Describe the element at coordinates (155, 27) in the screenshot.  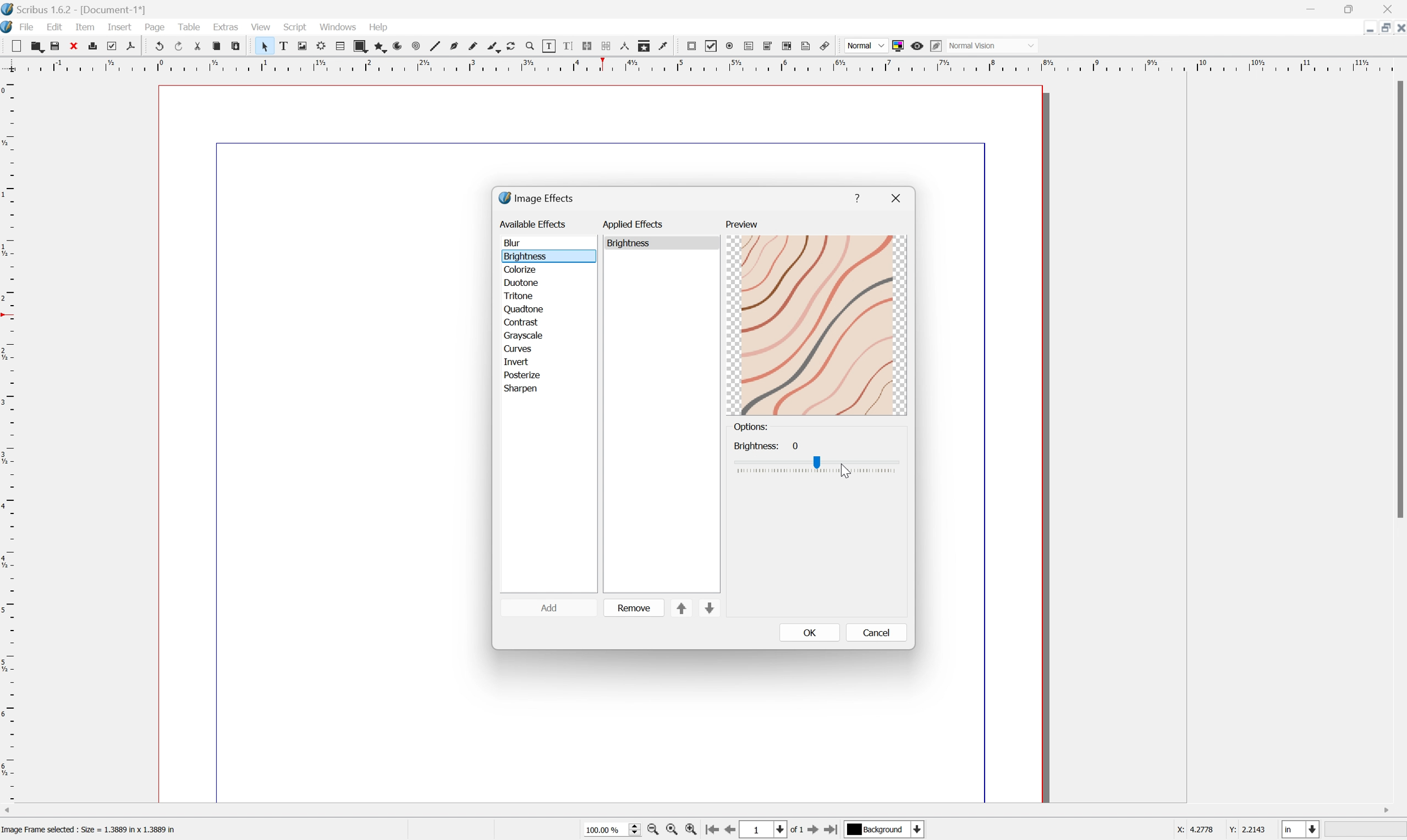
I see `Page` at that location.